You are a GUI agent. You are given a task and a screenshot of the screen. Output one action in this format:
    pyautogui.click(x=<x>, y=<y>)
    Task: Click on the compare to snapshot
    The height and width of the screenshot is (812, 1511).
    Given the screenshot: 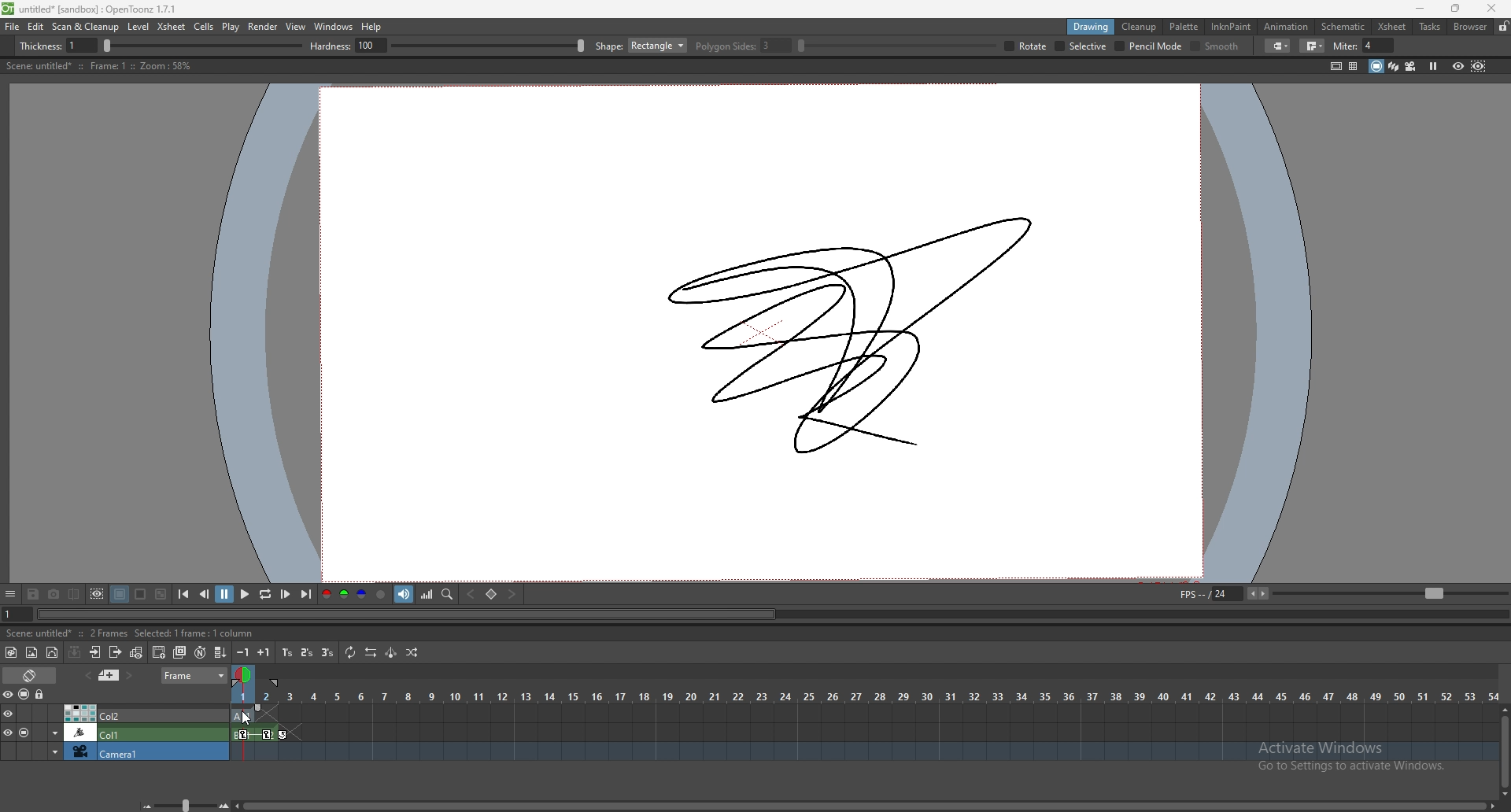 What is the action you would take?
    pyautogui.click(x=76, y=593)
    